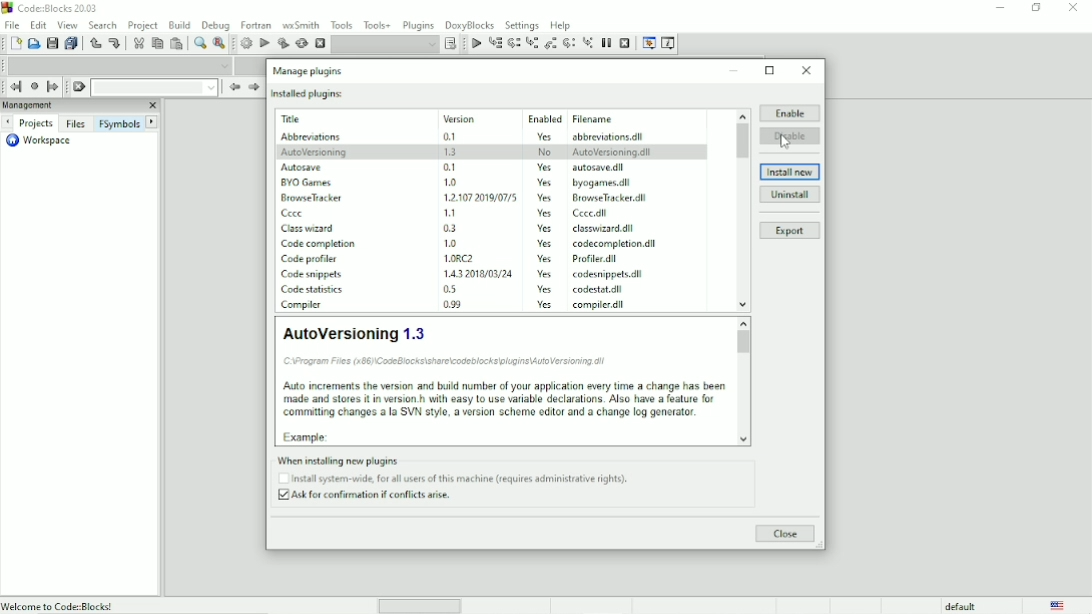  I want to click on Rebuild, so click(301, 43).